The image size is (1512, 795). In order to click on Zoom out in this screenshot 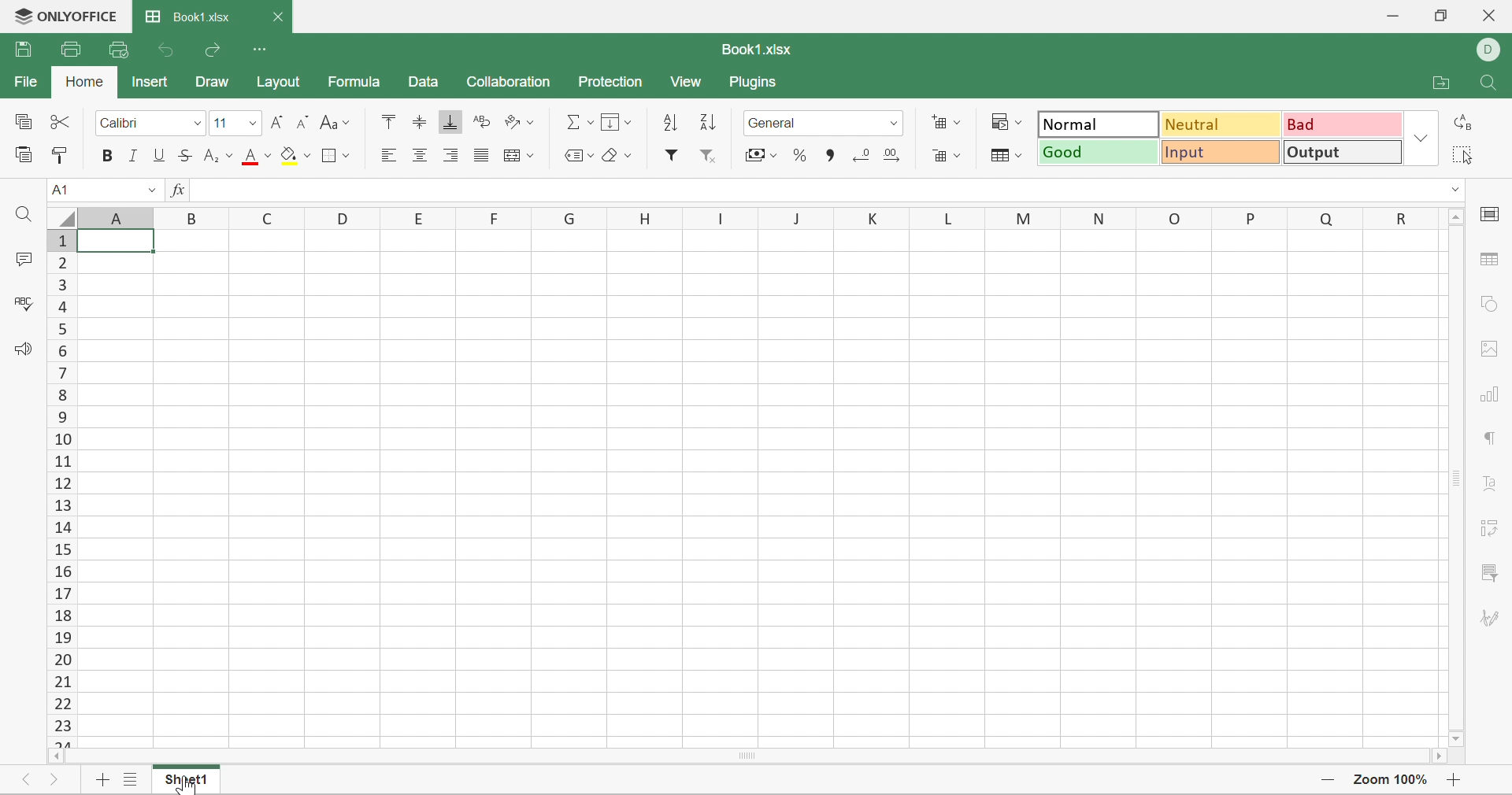, I will do `click(1326, 780)`.